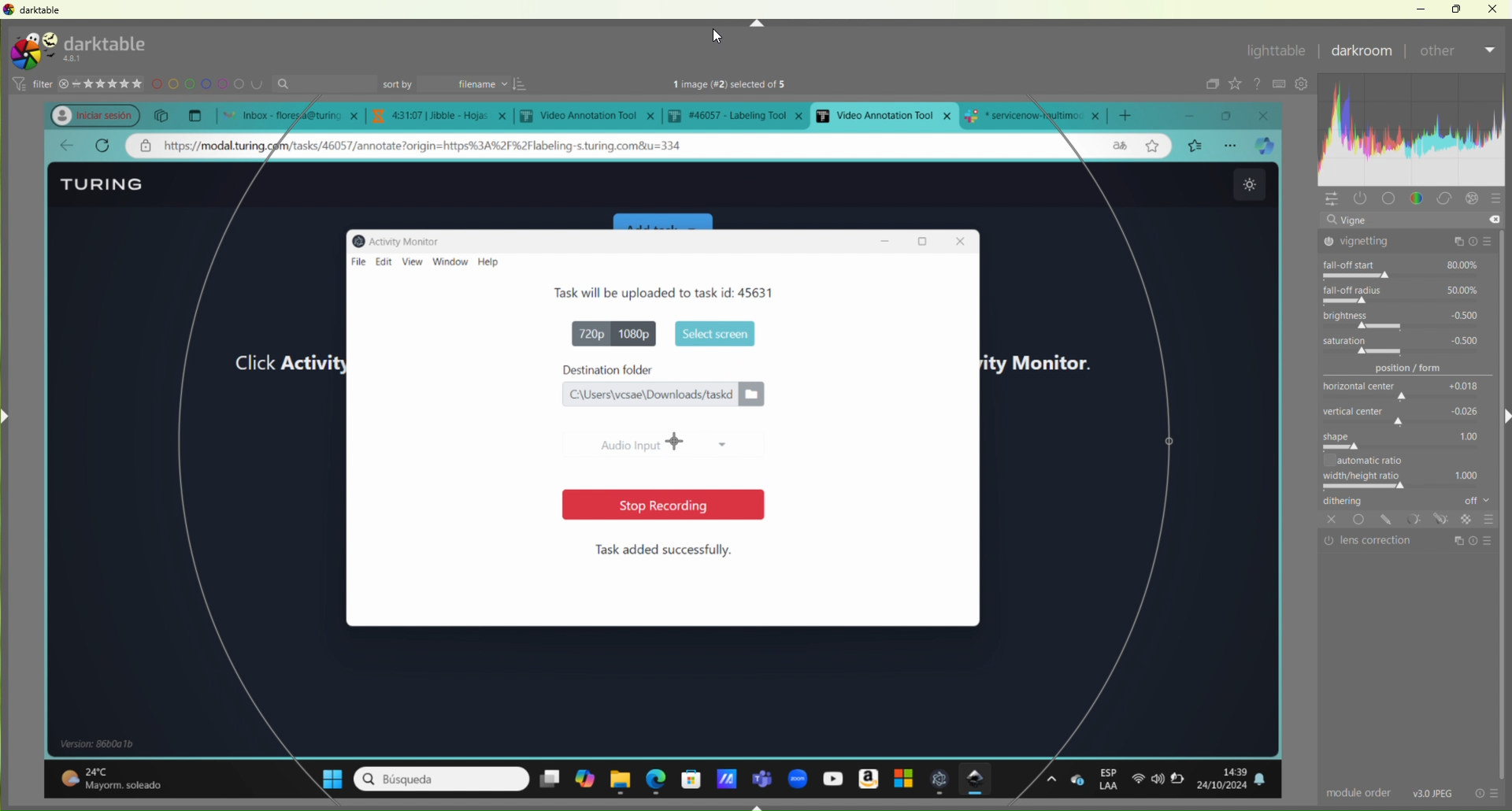 The image size is (1512, 811). Describe the element at coordinates (1492, 50) in the screenshot. I see `Dropdown` at that location.